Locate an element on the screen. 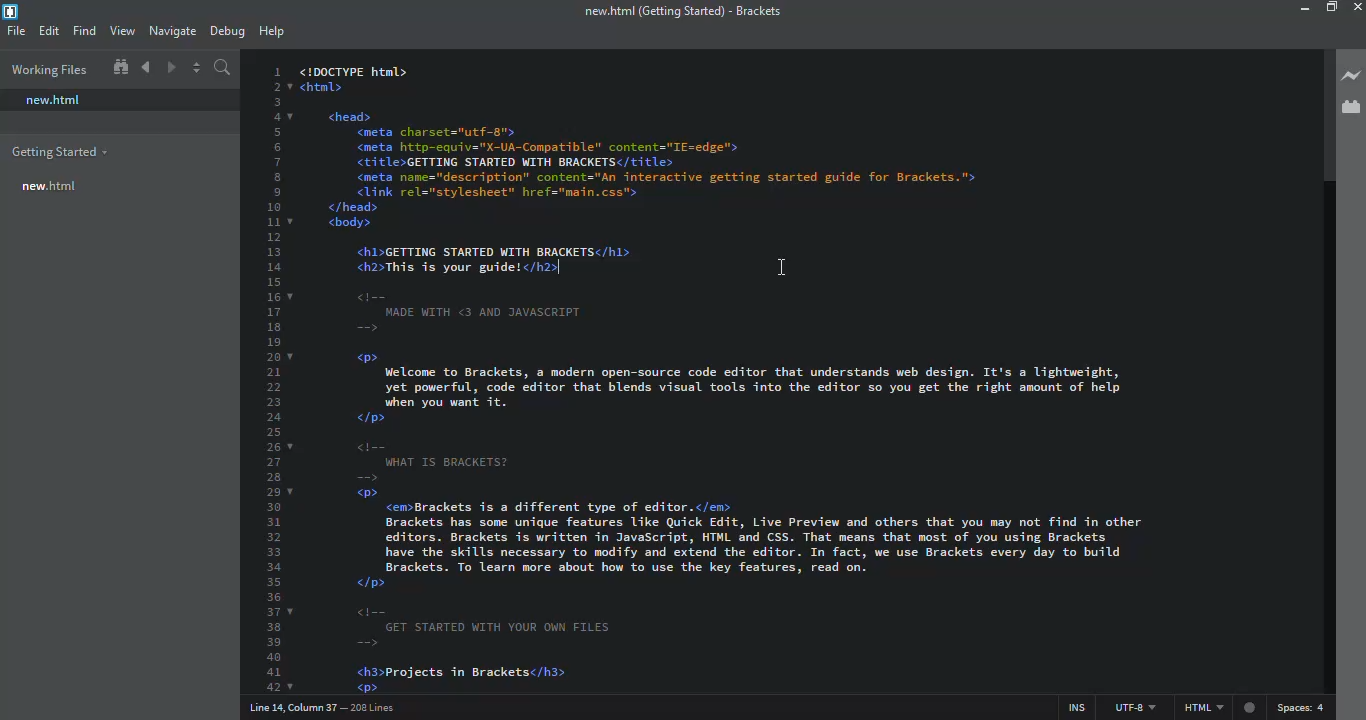 Image resolution: width=1366 pixels, height=720 pixels. search is located at coordinates (223, 69).